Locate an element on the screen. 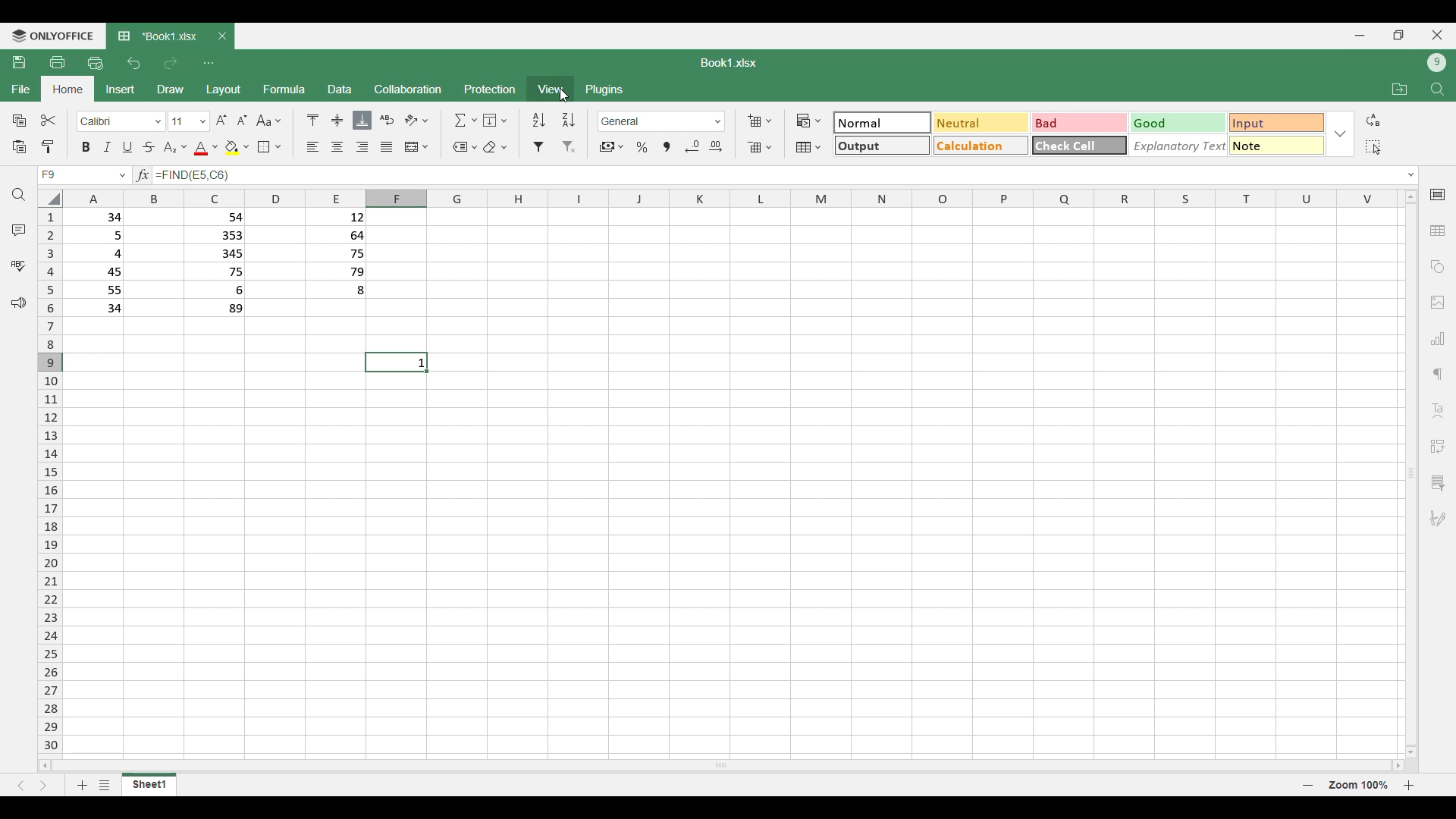  Add chart is located at coordinates (1438, 338).